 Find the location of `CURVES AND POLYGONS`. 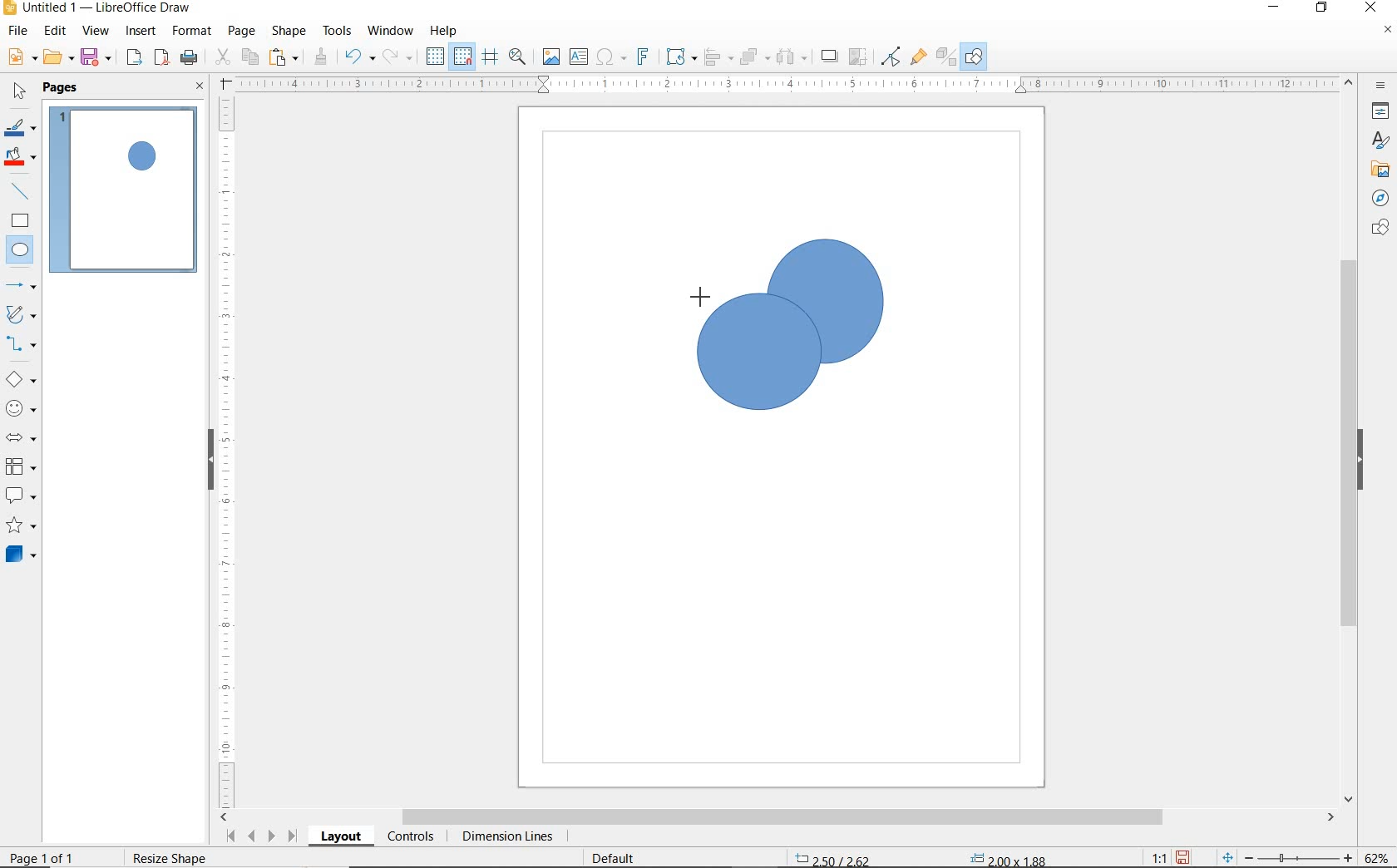

CURVES AND POLYGONS is located at coordinates (20, 316).